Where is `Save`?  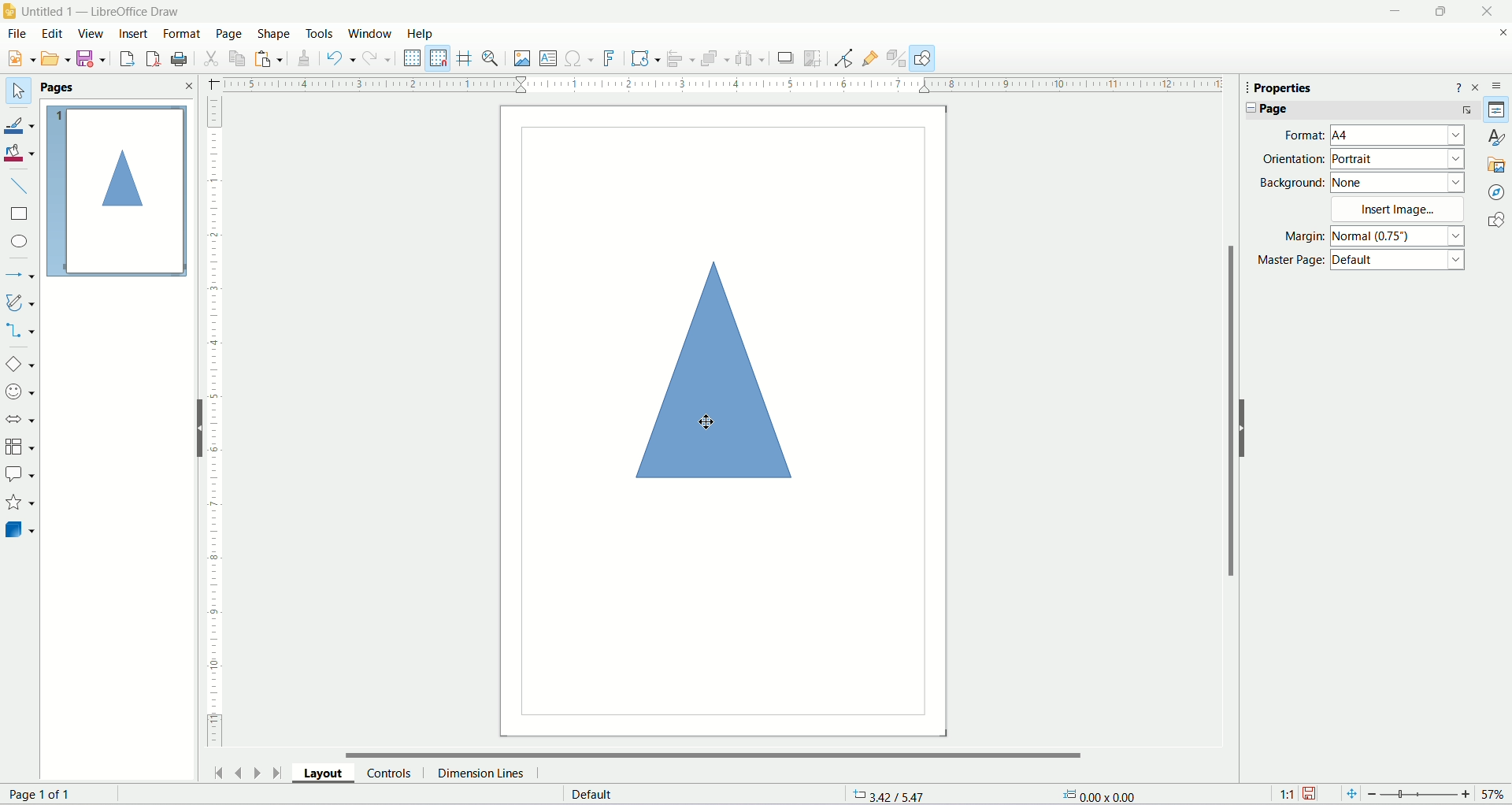
Save is located at coordinates (90, 57).